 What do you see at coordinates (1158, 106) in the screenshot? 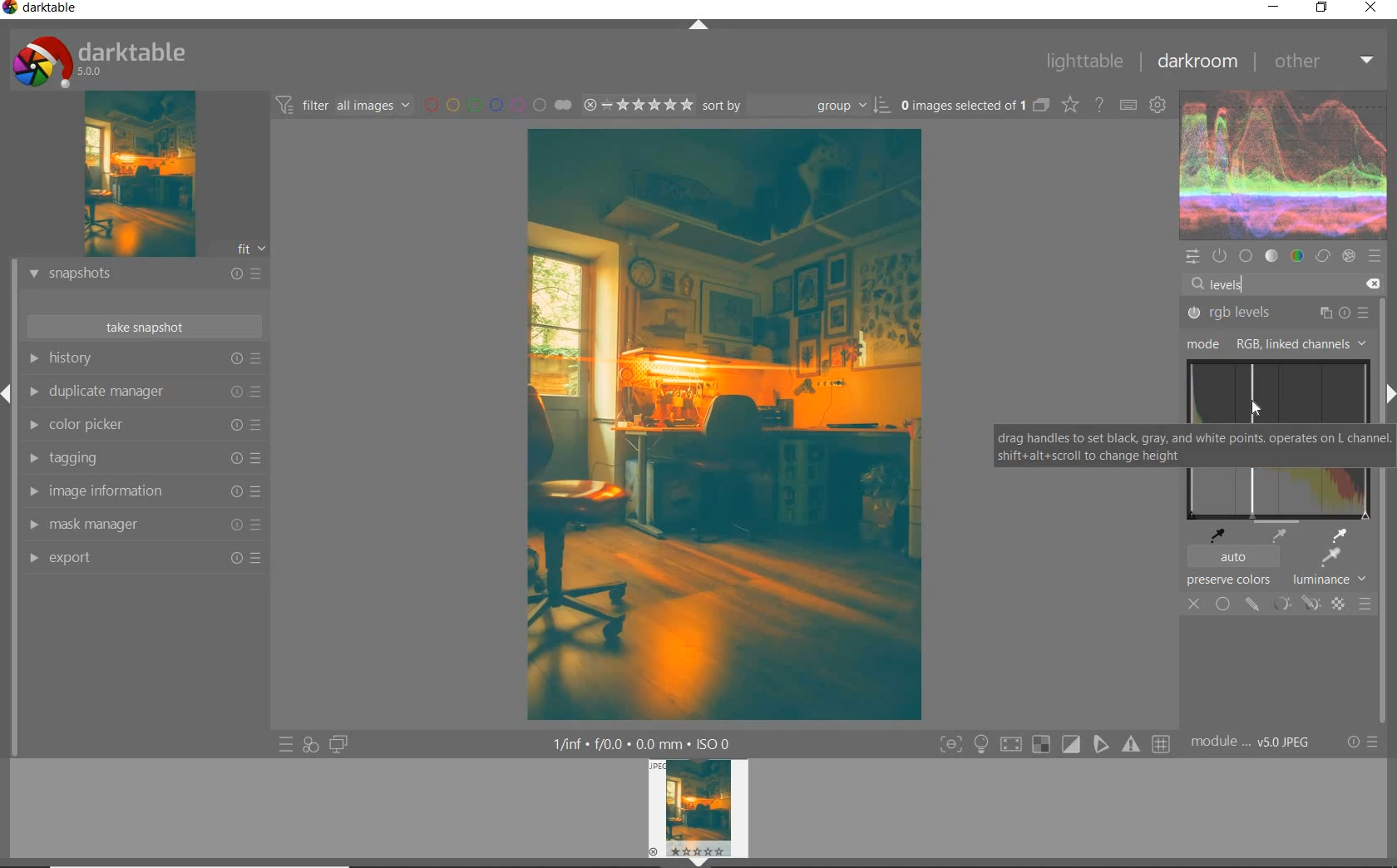
I see `show global preferences` at bounding box center [1158, 106].